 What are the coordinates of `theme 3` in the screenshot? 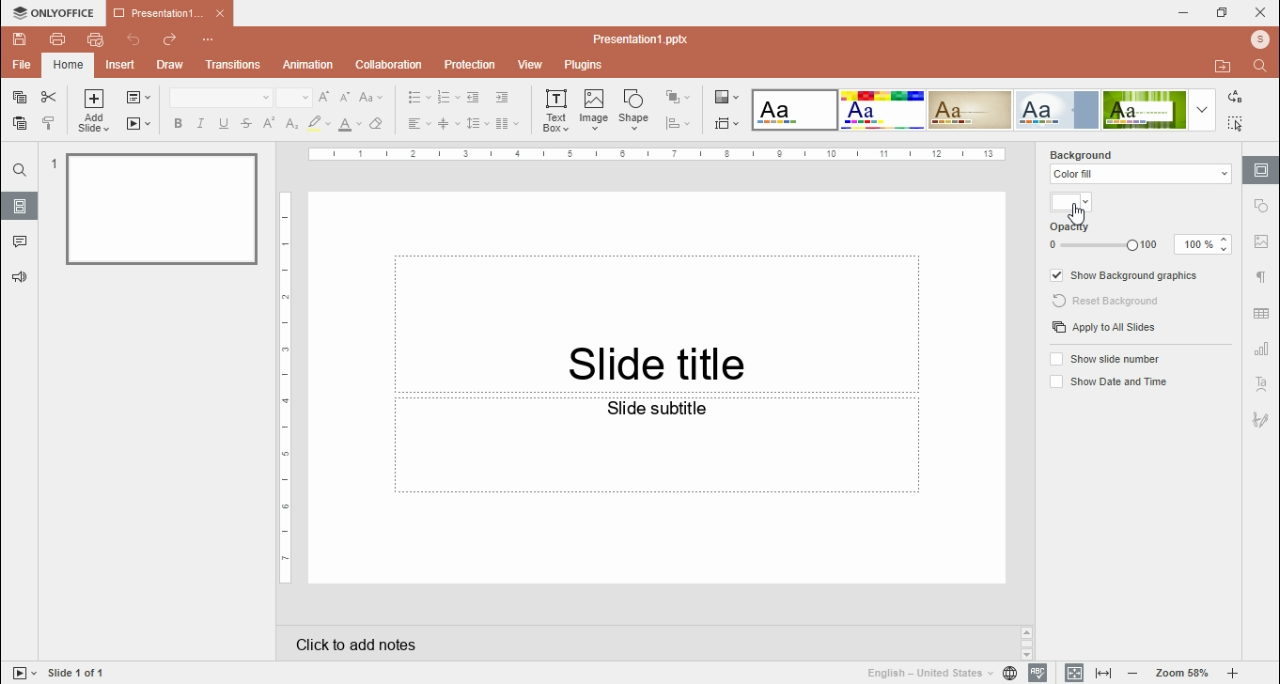 It's located at (971, 110).